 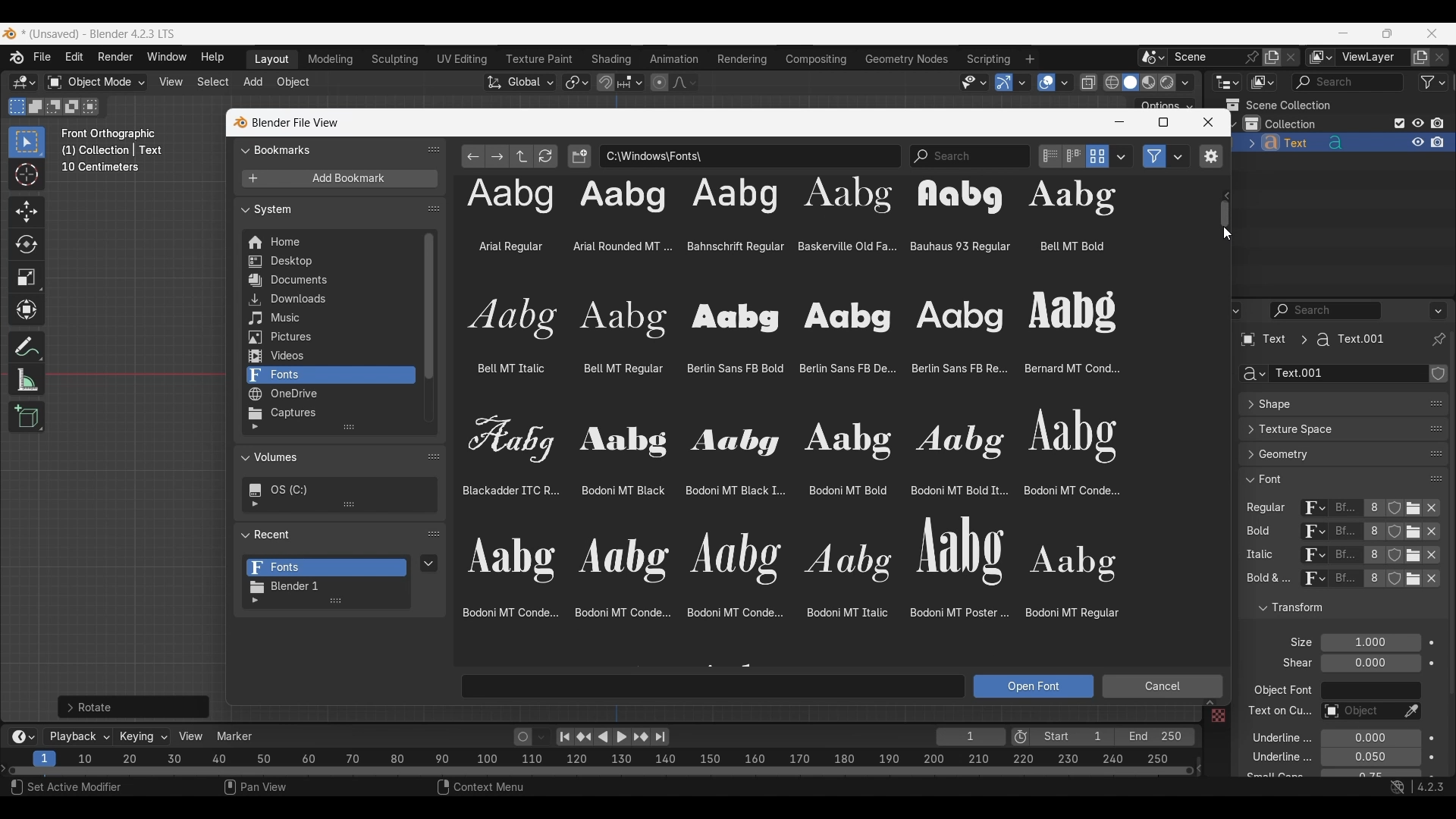 I want to click on Play animation, so click(x=611, y=737).